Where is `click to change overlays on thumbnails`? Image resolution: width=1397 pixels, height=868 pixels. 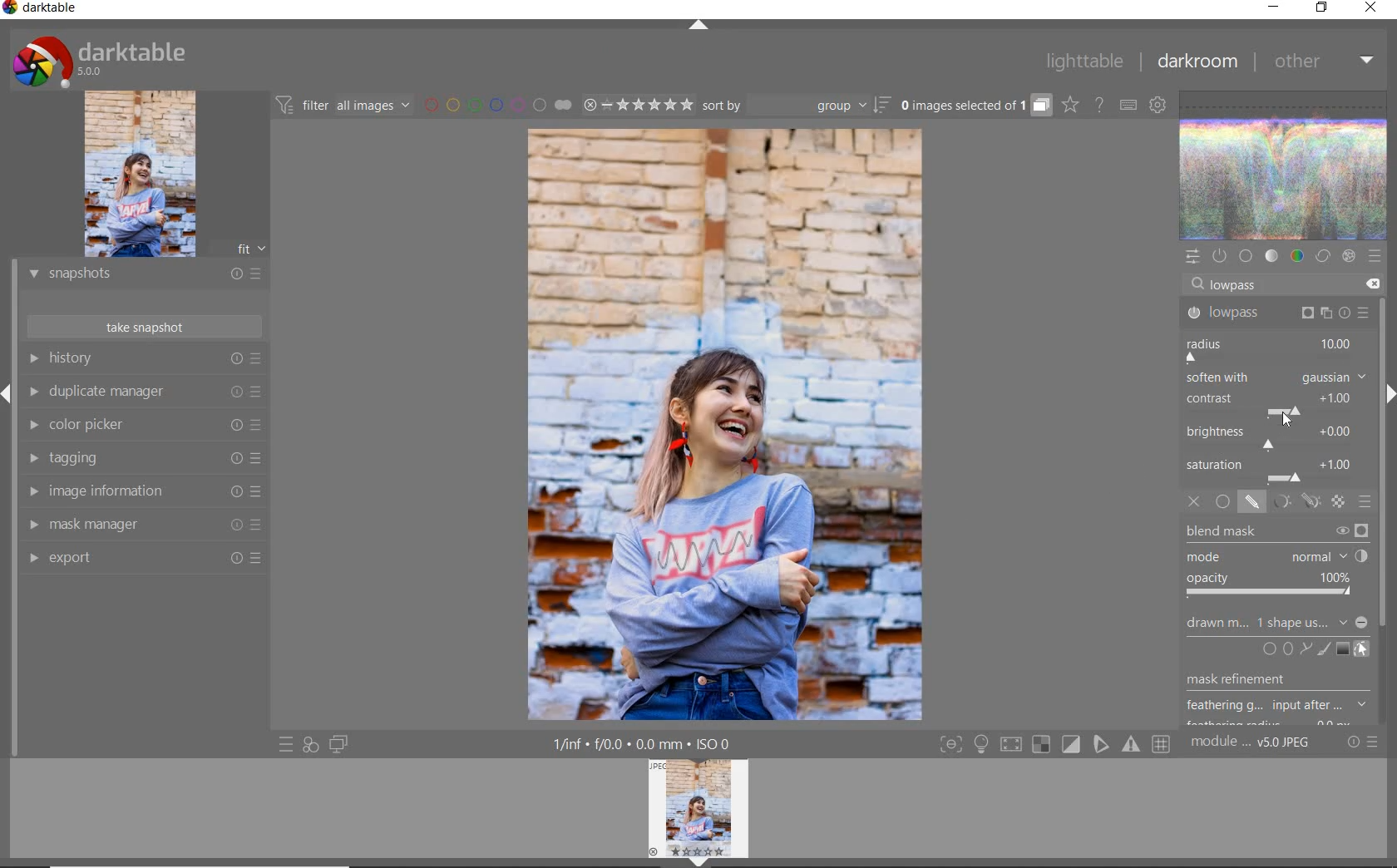 click to change overlays on thumbnails is located at coordinates (1069, 104).